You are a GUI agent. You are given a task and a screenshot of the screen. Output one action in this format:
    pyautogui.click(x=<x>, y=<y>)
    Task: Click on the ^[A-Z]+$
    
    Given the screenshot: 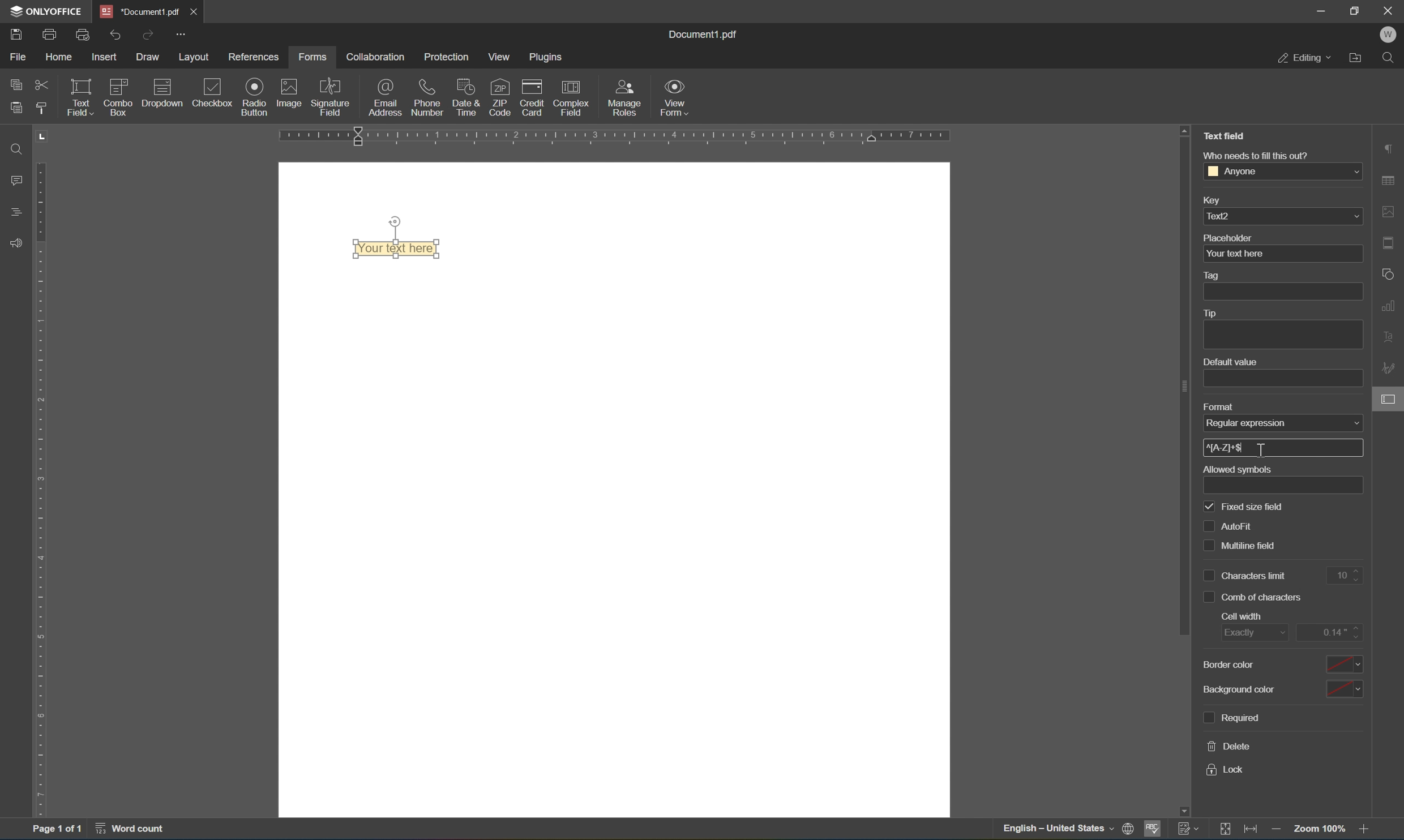 What is the action you would take?
    pyautogui.click(x=1225, y=447)
    